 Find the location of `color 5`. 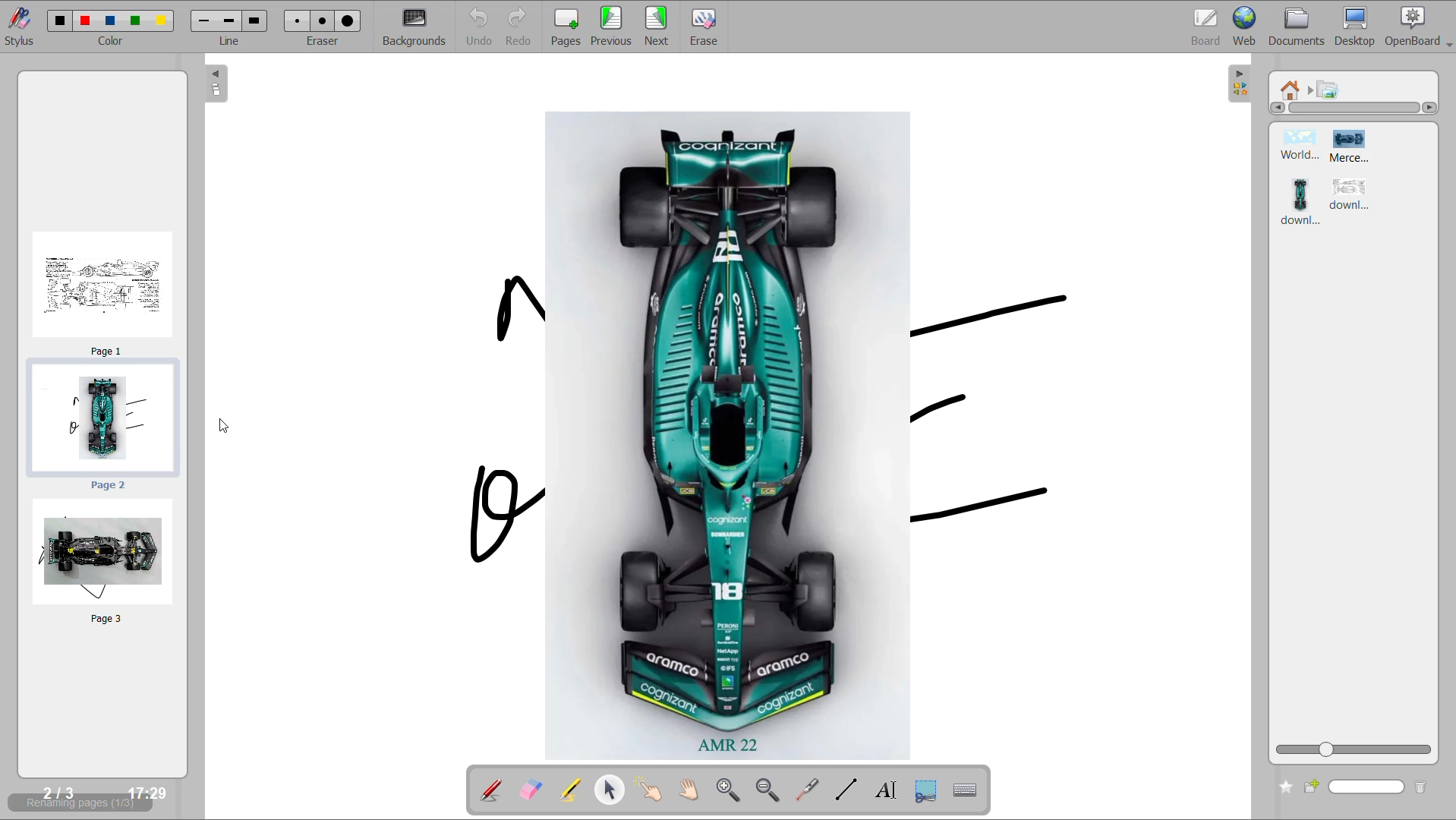

color 5 is located at coordinates (161, 19).